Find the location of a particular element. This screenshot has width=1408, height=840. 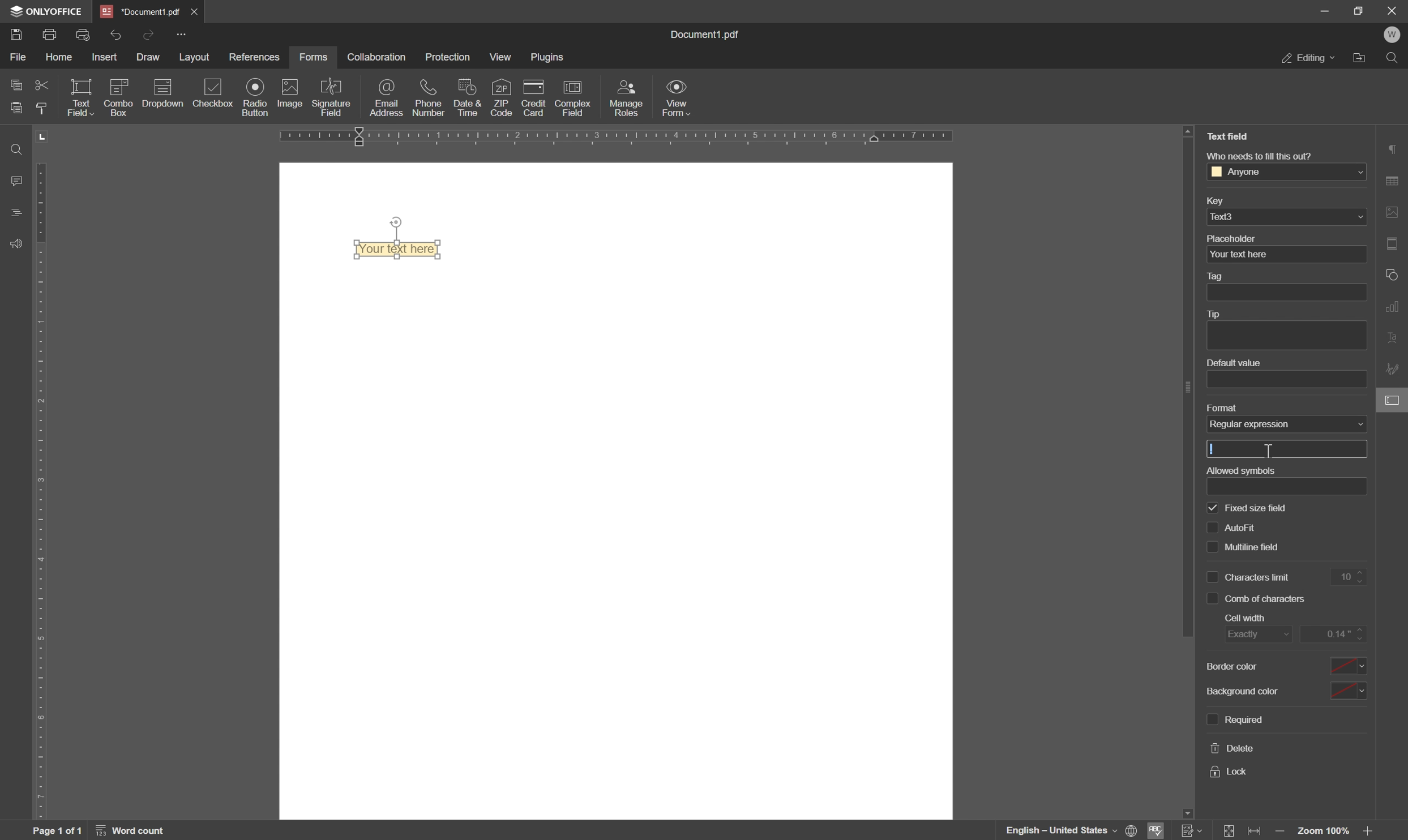

quick print is located at coordinates (88, 35).